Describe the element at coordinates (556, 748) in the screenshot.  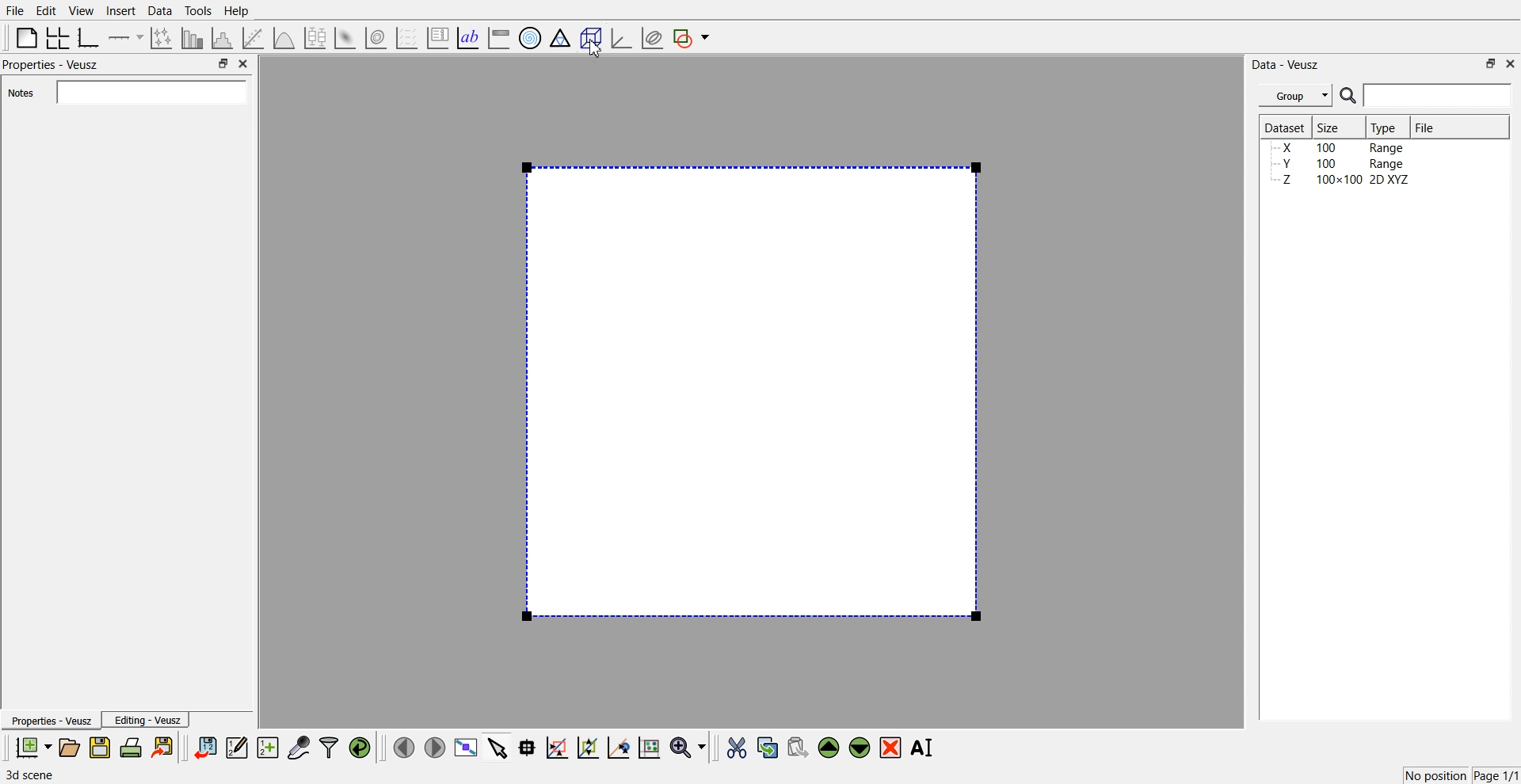
I see `Draw a rectangle to zoom graph axes` at that location.